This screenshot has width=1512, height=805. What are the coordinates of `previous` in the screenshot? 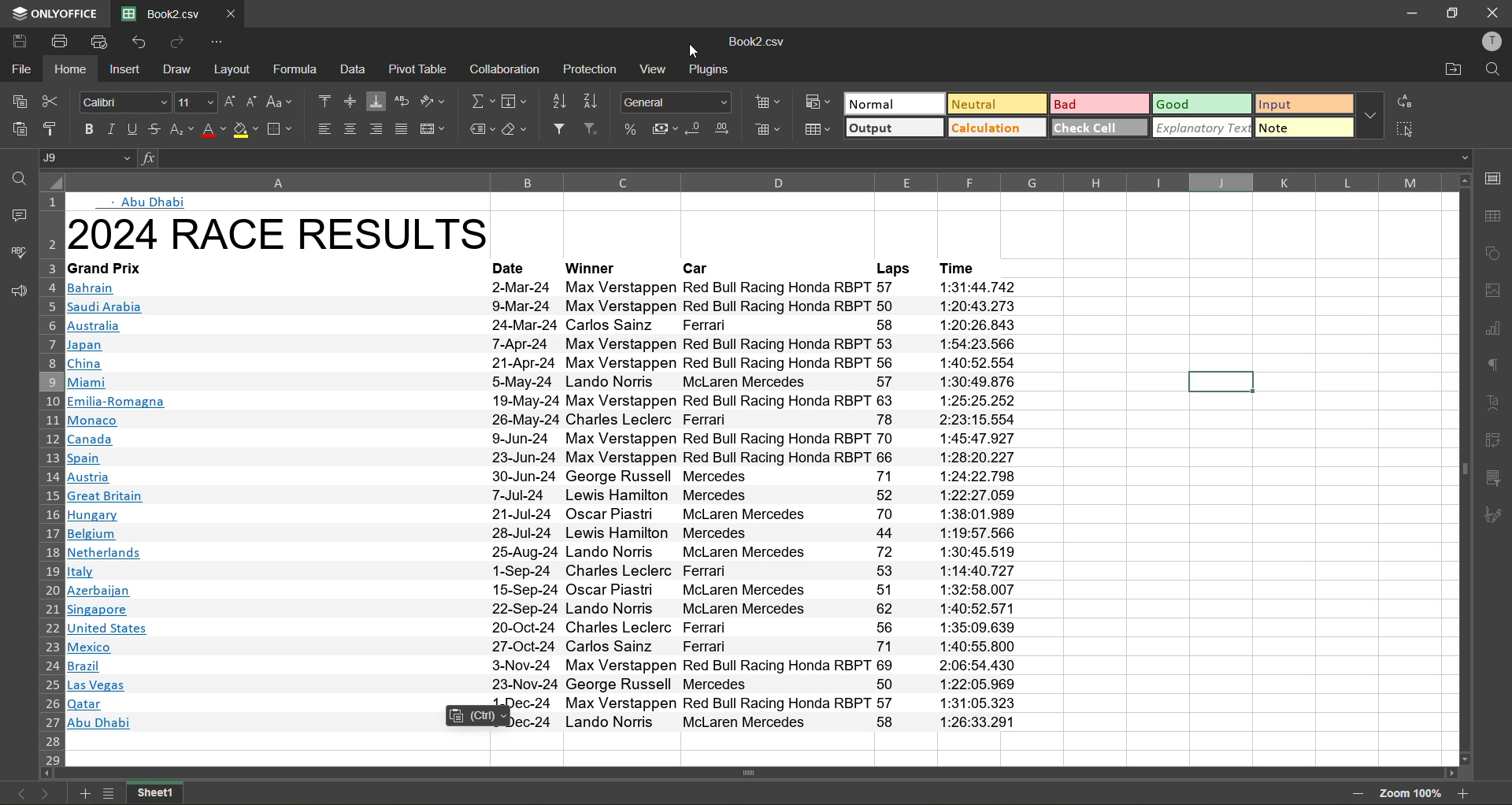 It's located at (18, 795).